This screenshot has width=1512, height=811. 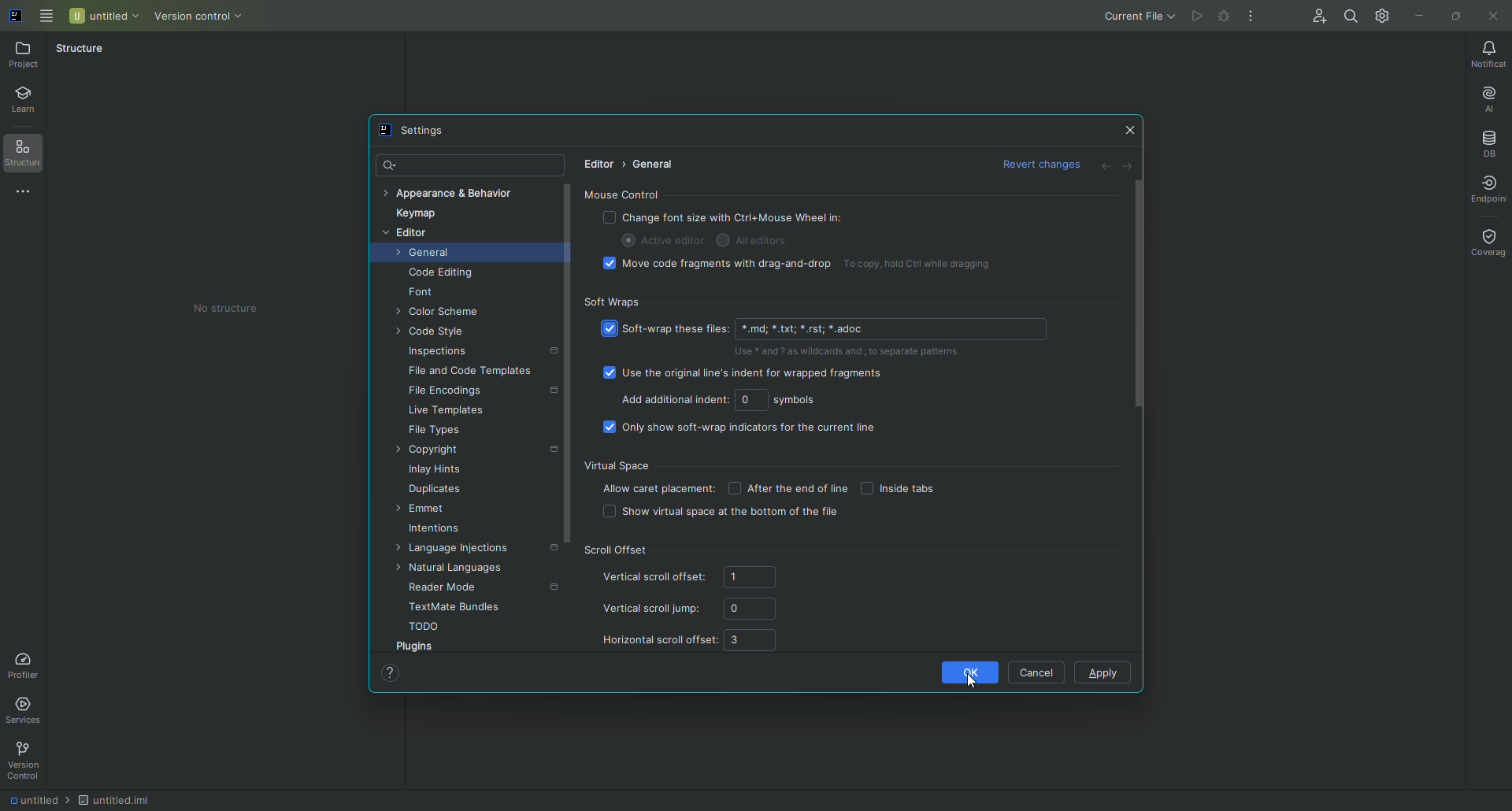 What do you see at coordinates (393, 675) in the screenshot?
I see `Help` at bounding box center [393, 675].